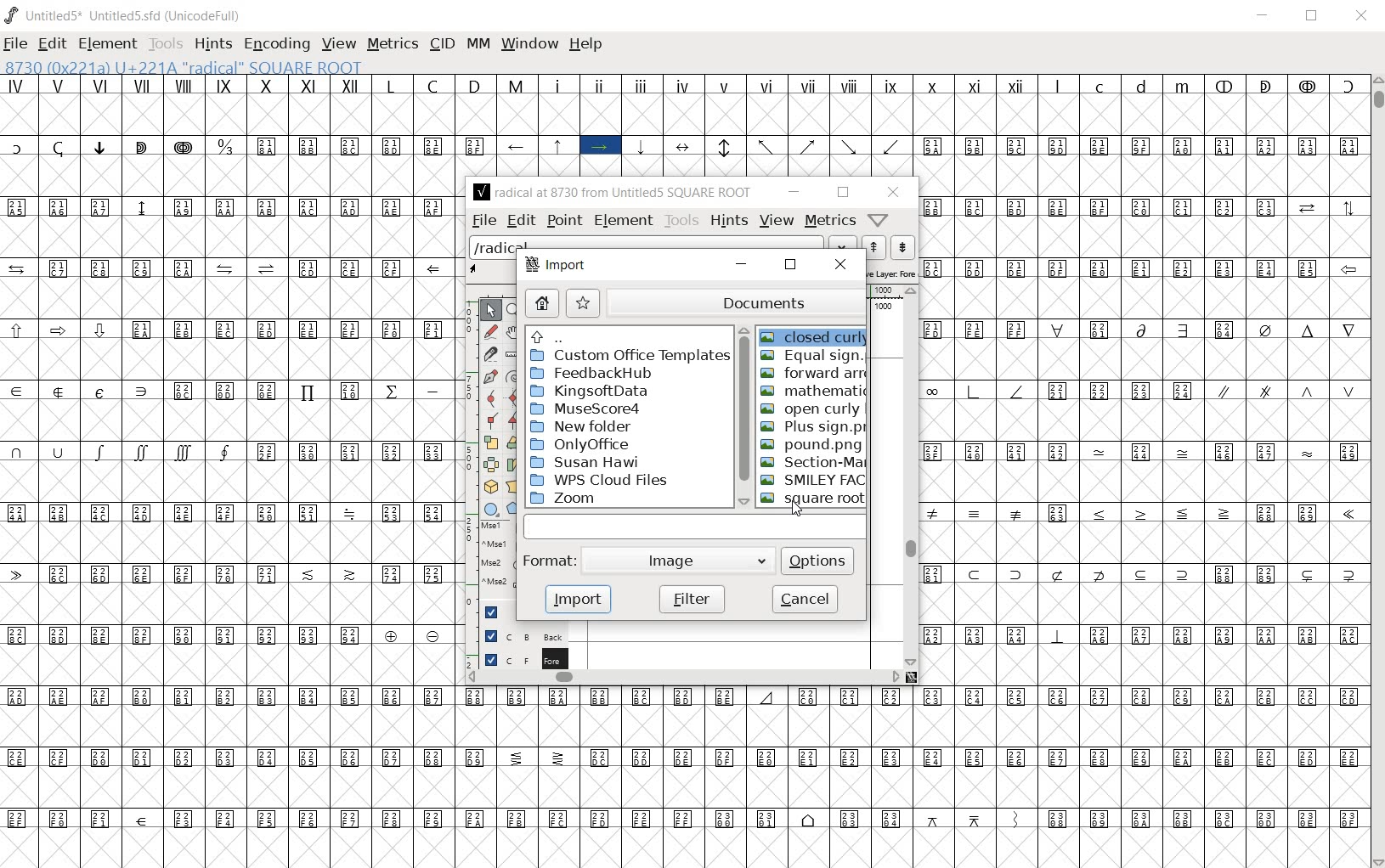  I want to click on close, so click(838, 265).